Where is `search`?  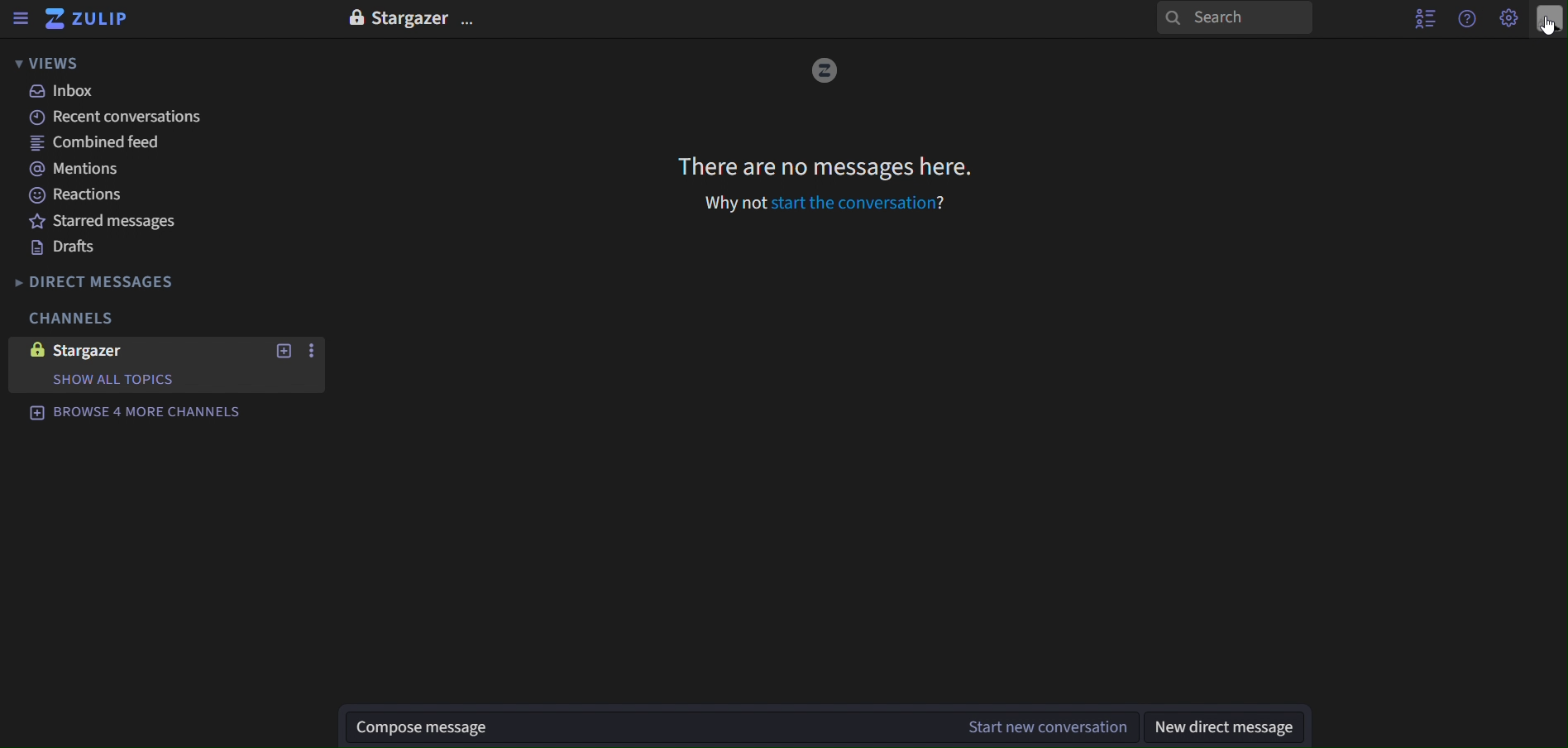
search is located at coordinates (1238, 21).